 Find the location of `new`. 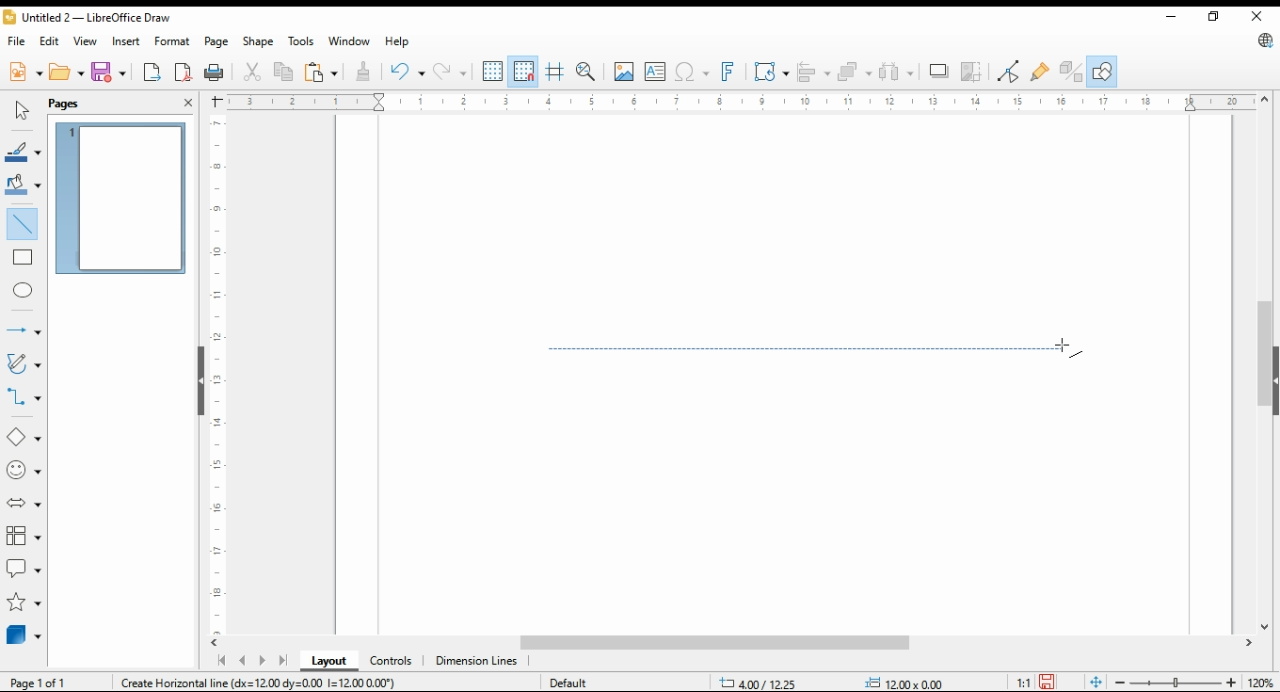

new is located at coordinates (25, 70).